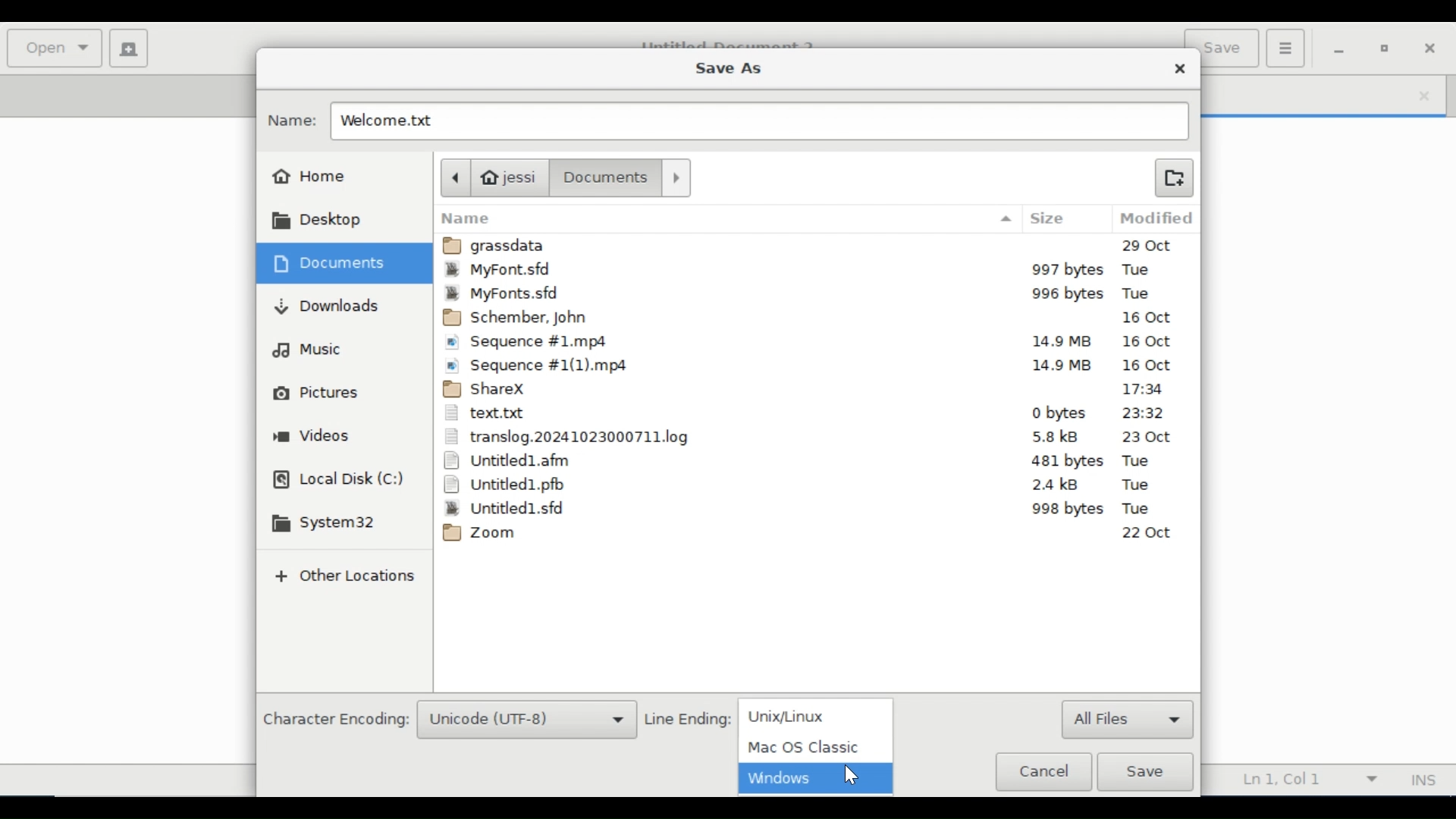 The image size is (1456, 819). Describe the element at coordinates (811, 746) in the screenshot. I see `Mac OS Classic` at that location.